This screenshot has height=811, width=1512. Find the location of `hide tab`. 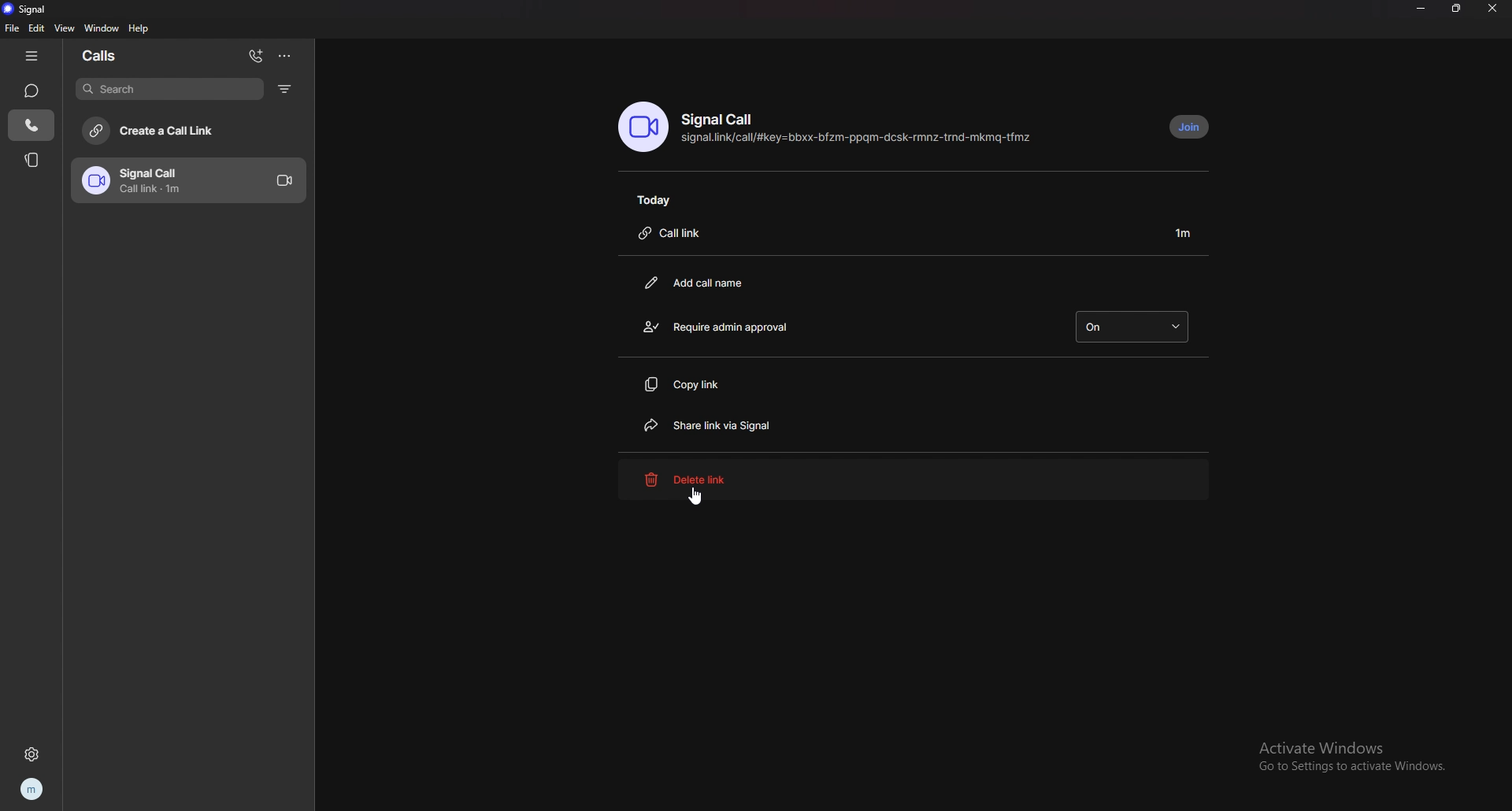

hide tab is located at coordinates (33, 56).